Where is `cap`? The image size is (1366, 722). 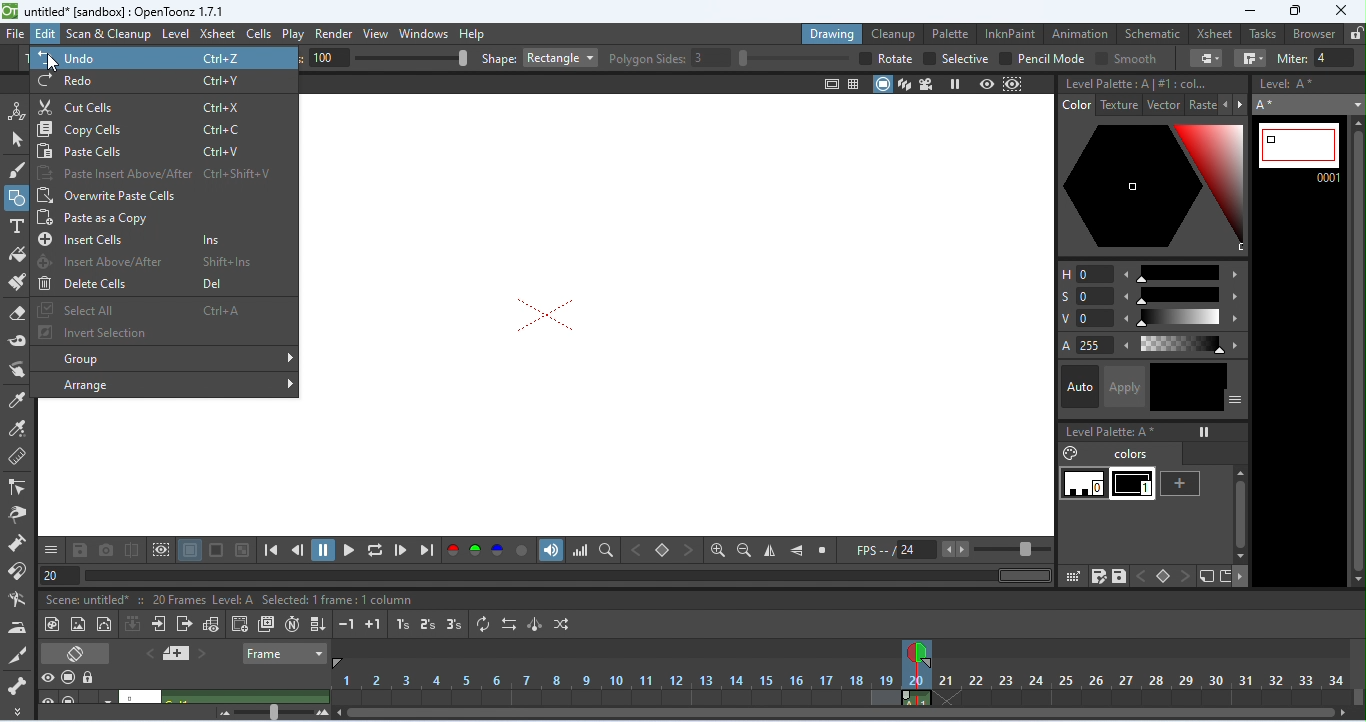
cap is located at coordinates (1205, 58).